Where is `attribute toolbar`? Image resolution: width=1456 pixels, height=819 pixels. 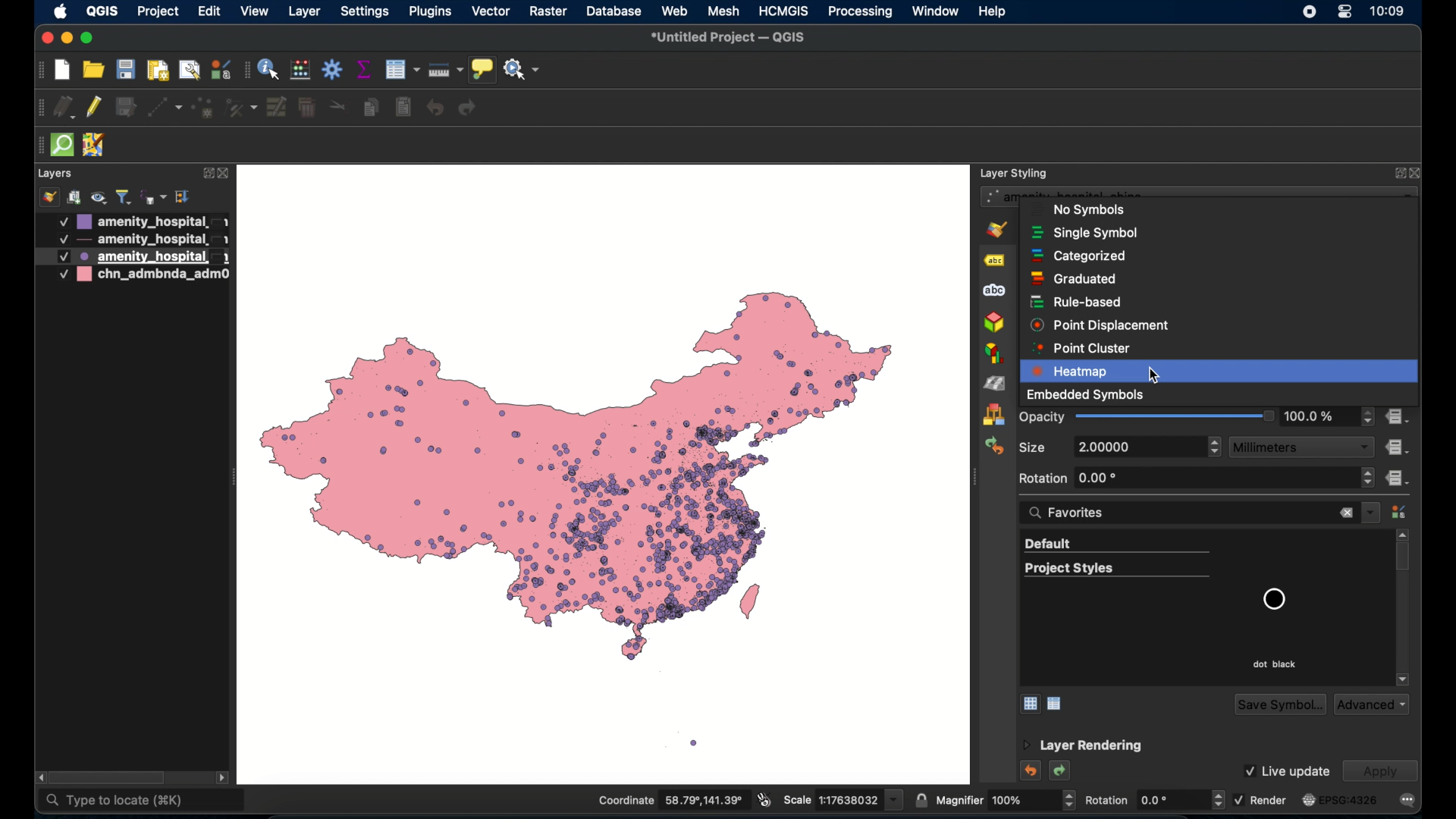 attribute toolbar is located at coordinates (246, 72).